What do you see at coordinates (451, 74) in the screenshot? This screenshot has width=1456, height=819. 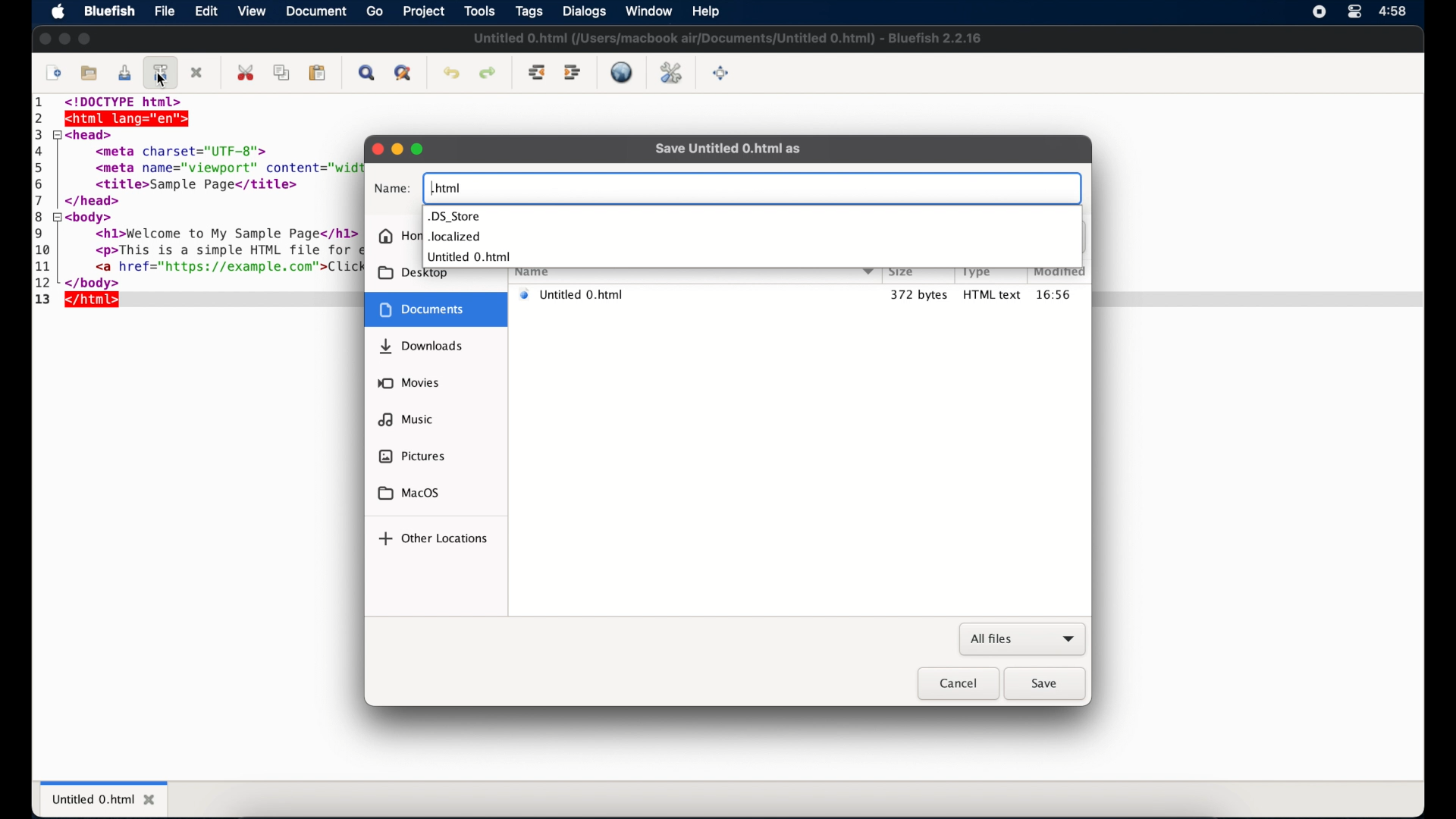 I see `undo` at bounding box center [451, 74].